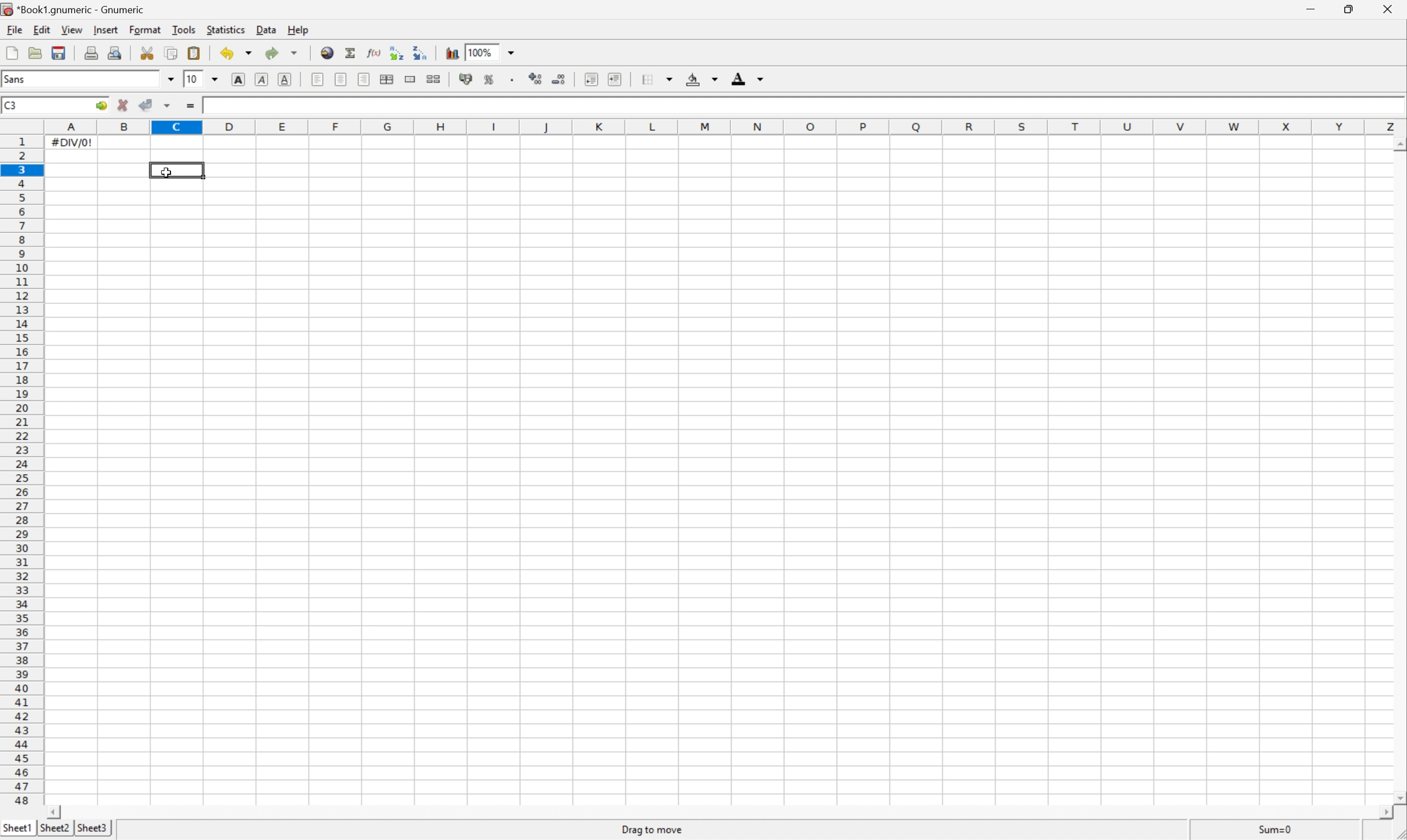  Describe the element at coordinates (412, 79) in the screenshot. I see `Merge a range of cells` at that location.